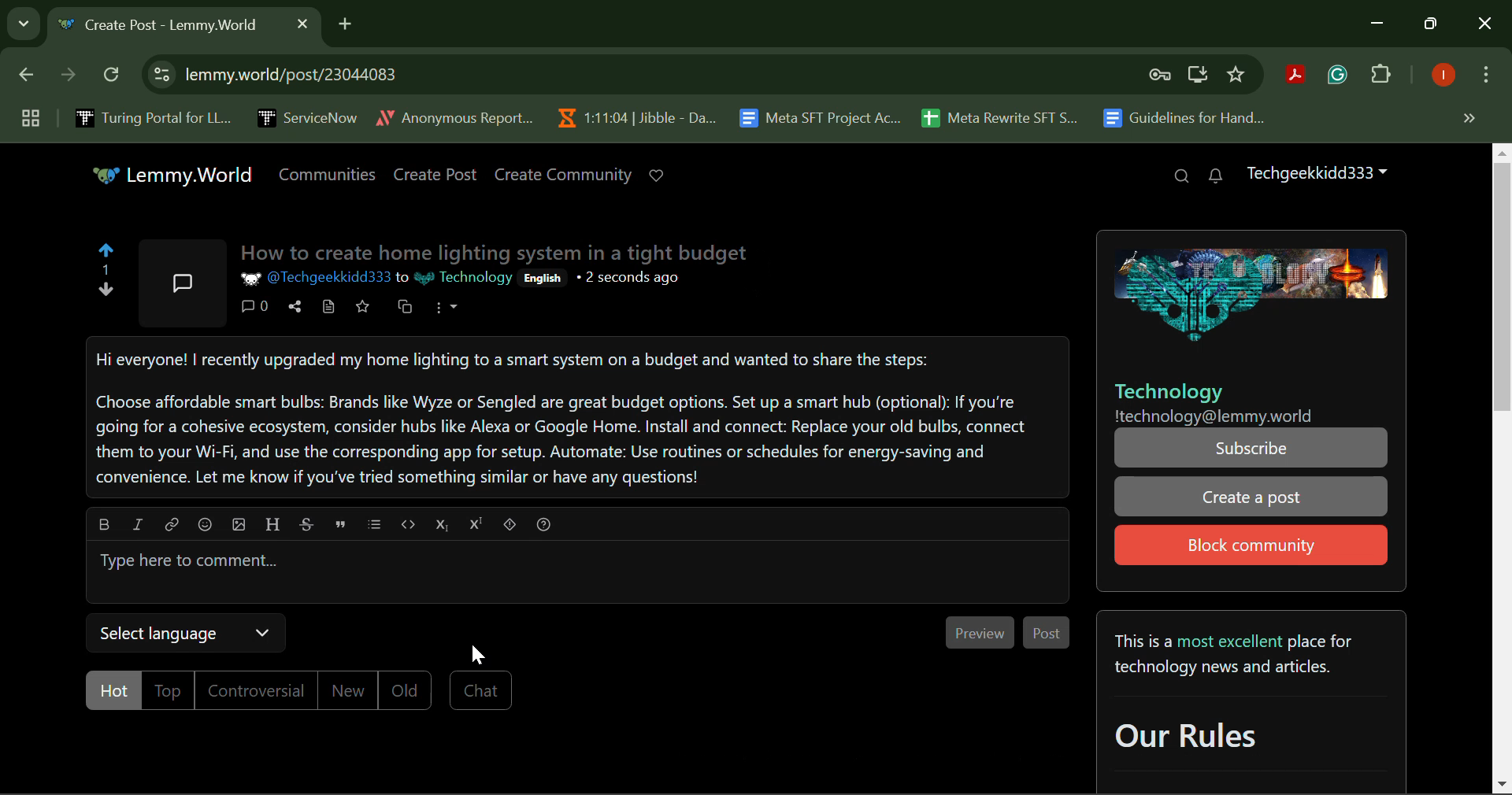 This screenshot has height=795, width=1512. I want to click on Lemmy Address, so click(1216, 416).